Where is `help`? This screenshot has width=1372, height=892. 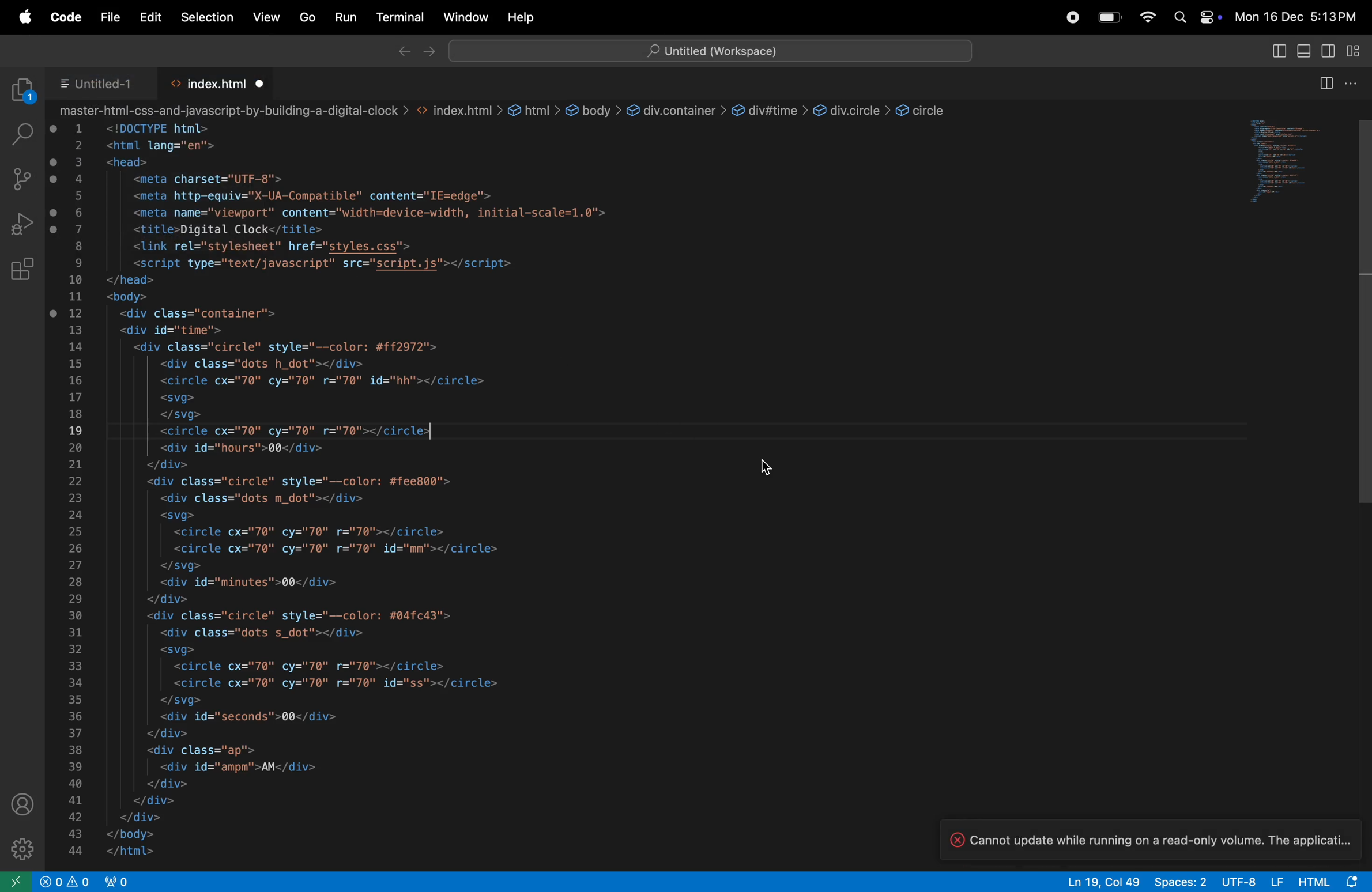 help is located at coordinates (521, 16).